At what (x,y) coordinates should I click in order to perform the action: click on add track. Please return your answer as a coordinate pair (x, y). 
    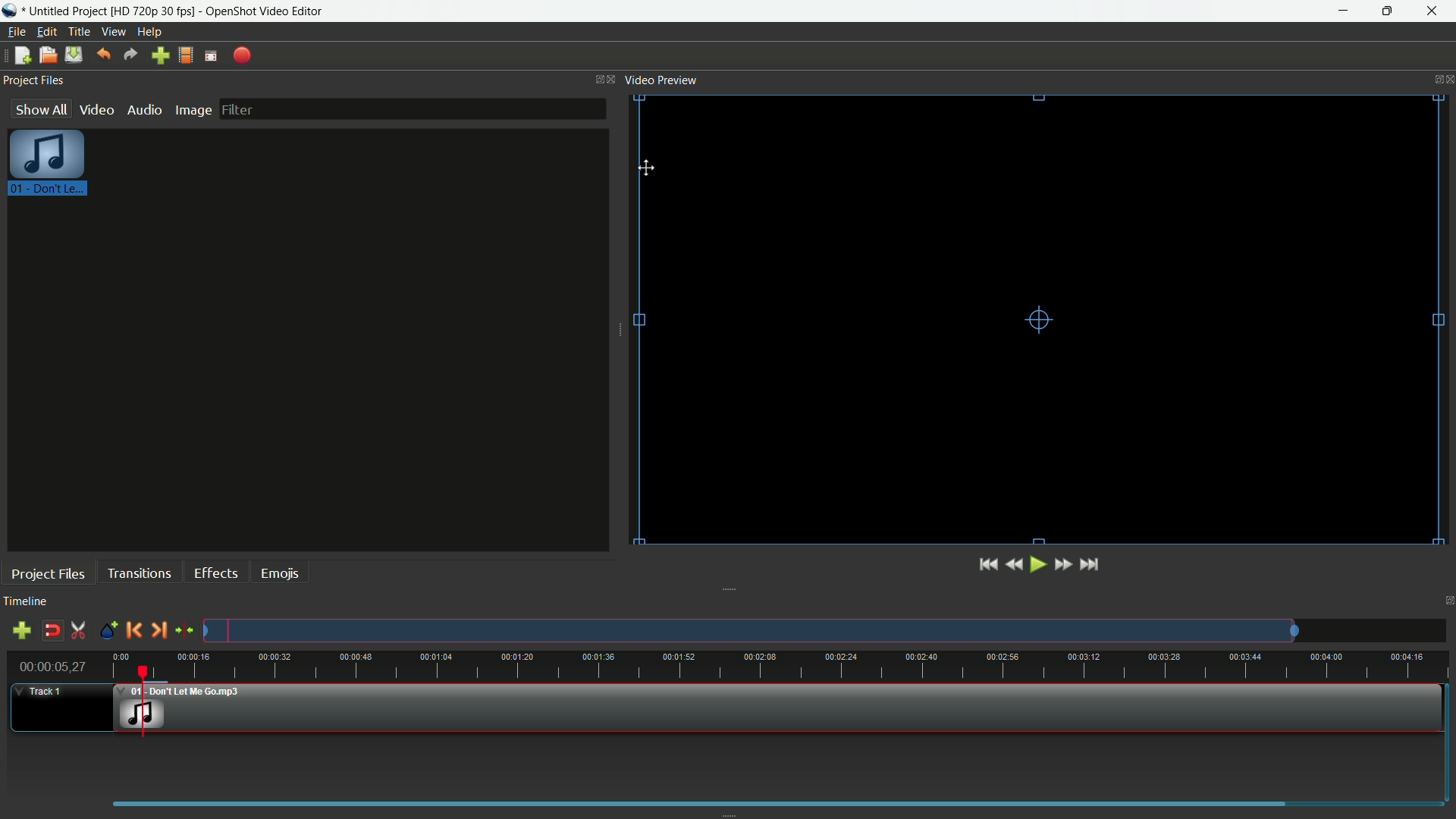
    Looking at the image, I should click on (21, 630).